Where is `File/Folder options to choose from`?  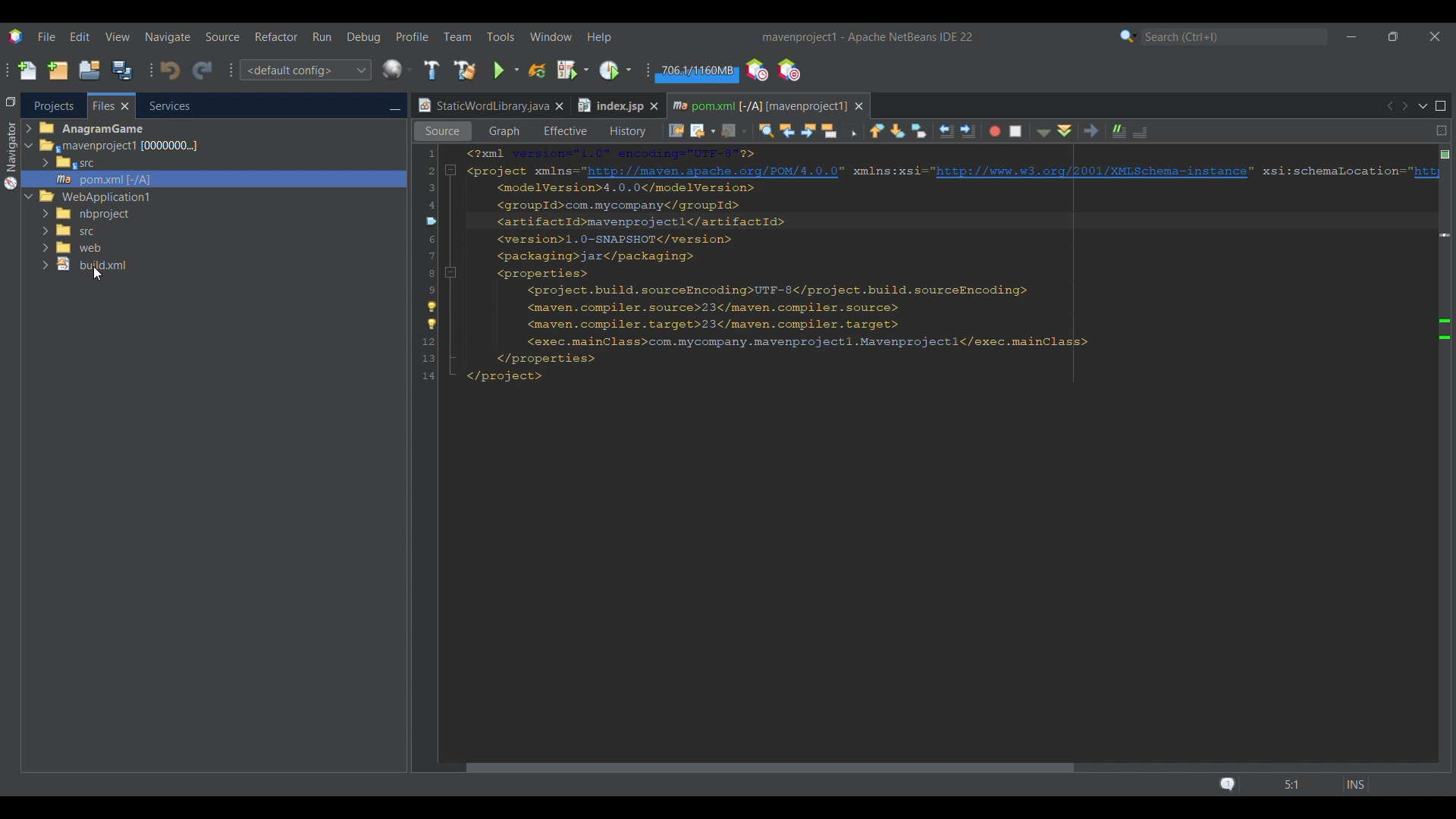 File/Folder options to choose from is located at coordinates (93, 240).